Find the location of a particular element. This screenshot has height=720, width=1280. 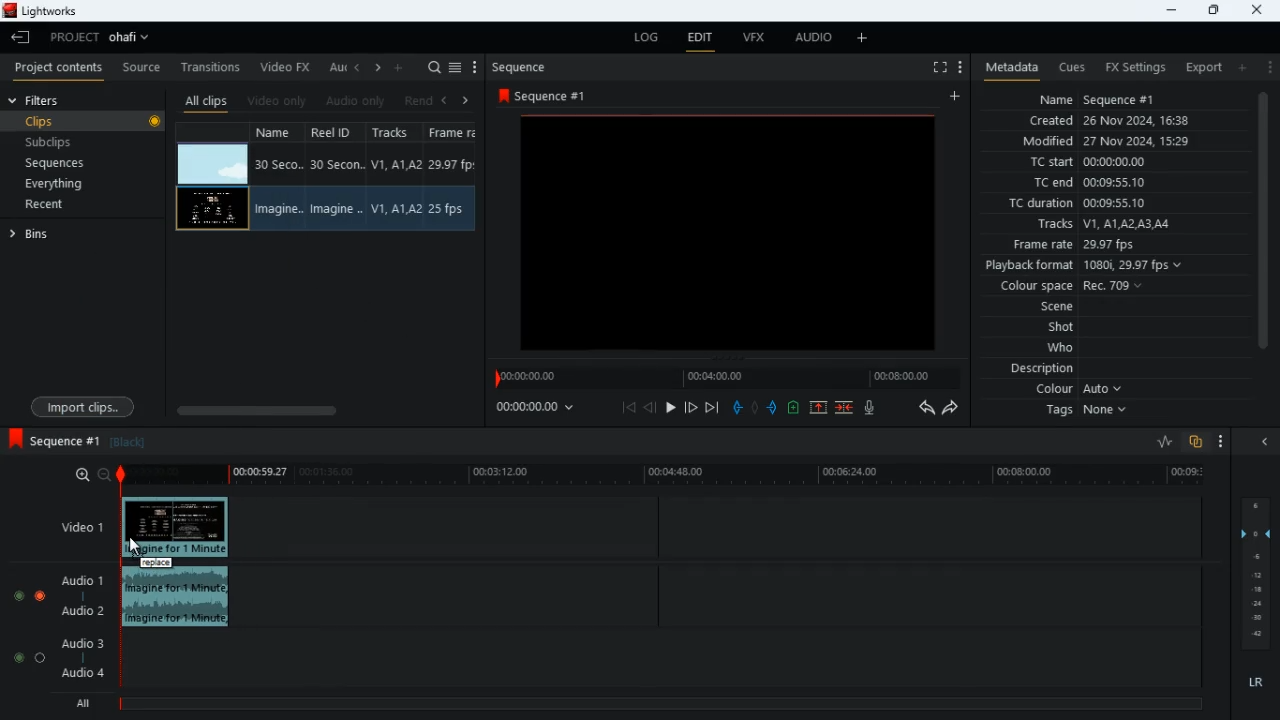

more is located at coordinates (865, 37).